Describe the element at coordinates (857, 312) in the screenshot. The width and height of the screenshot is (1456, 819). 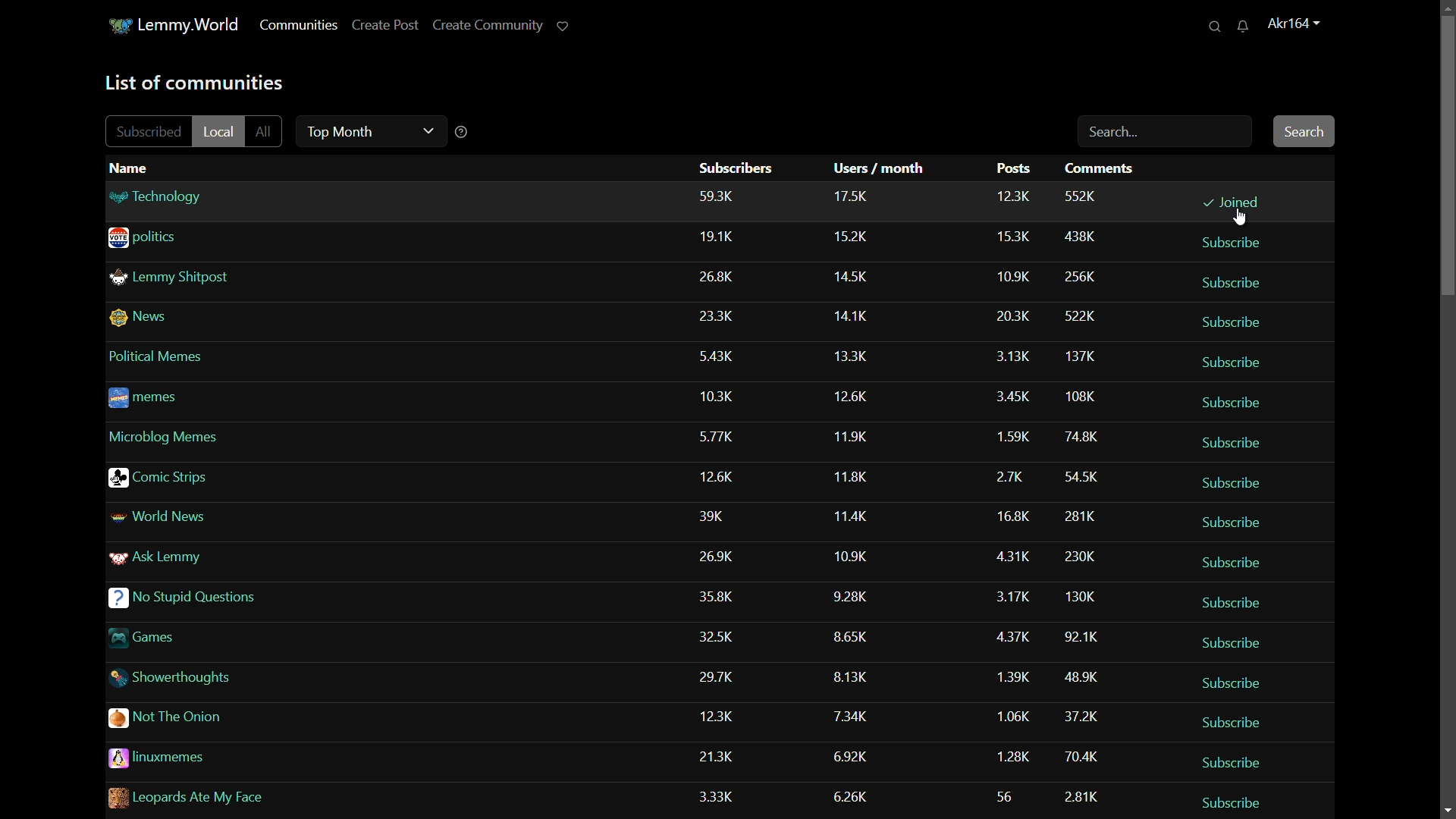
I see `user per month` at that location.